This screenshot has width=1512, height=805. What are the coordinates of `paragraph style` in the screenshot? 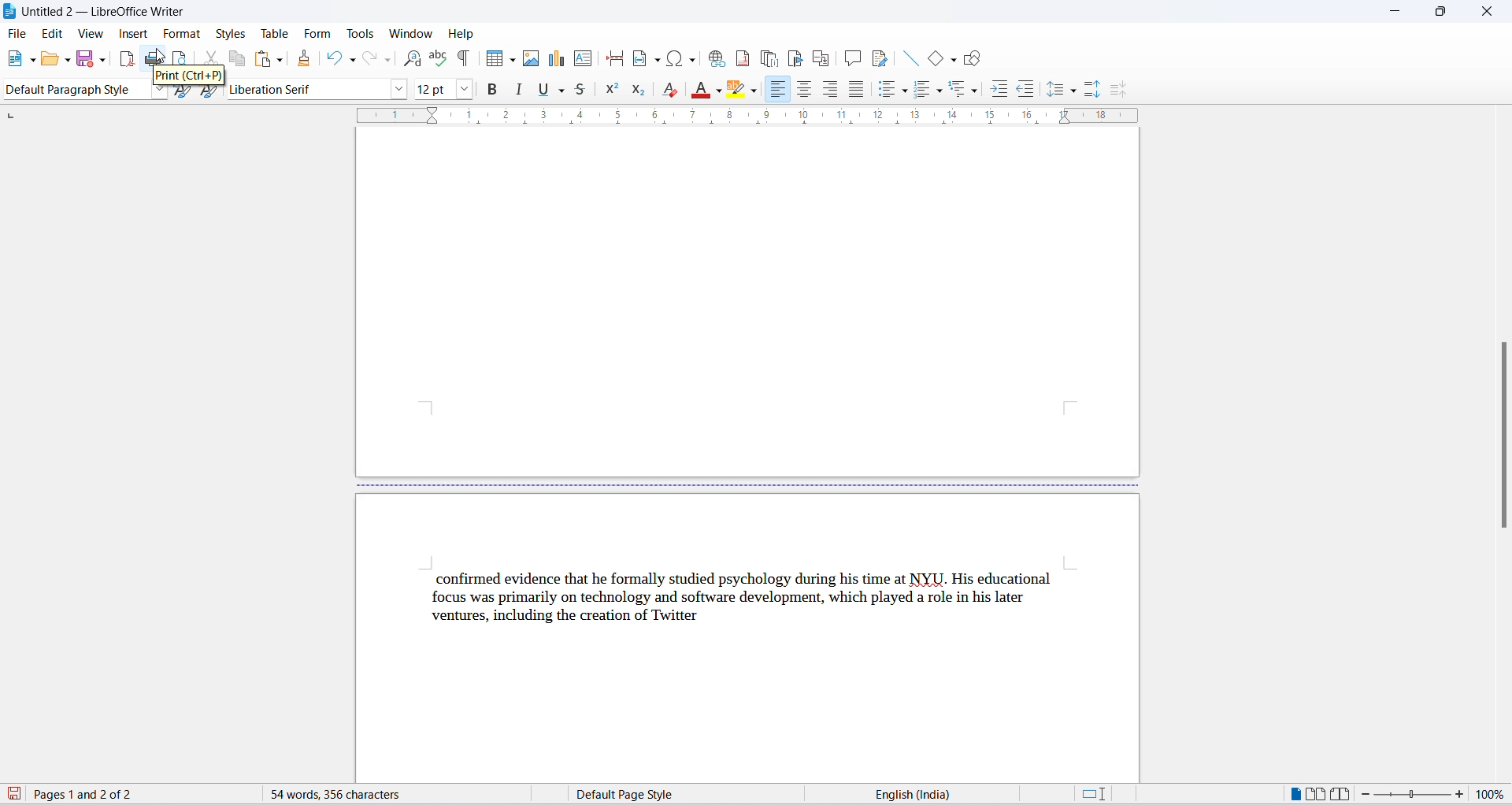 It's located at (78, 89).